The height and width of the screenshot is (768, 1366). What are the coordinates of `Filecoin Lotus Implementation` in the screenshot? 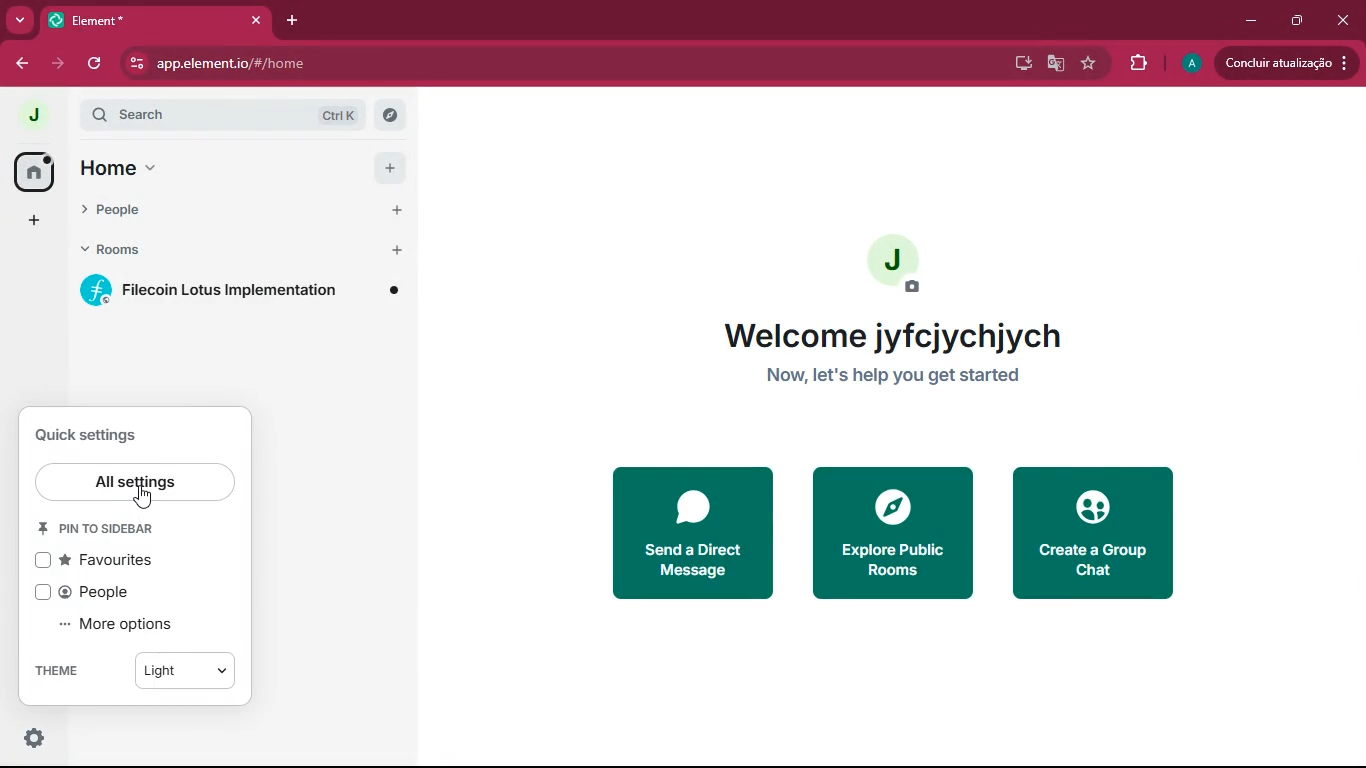 It's located at (243, 291).